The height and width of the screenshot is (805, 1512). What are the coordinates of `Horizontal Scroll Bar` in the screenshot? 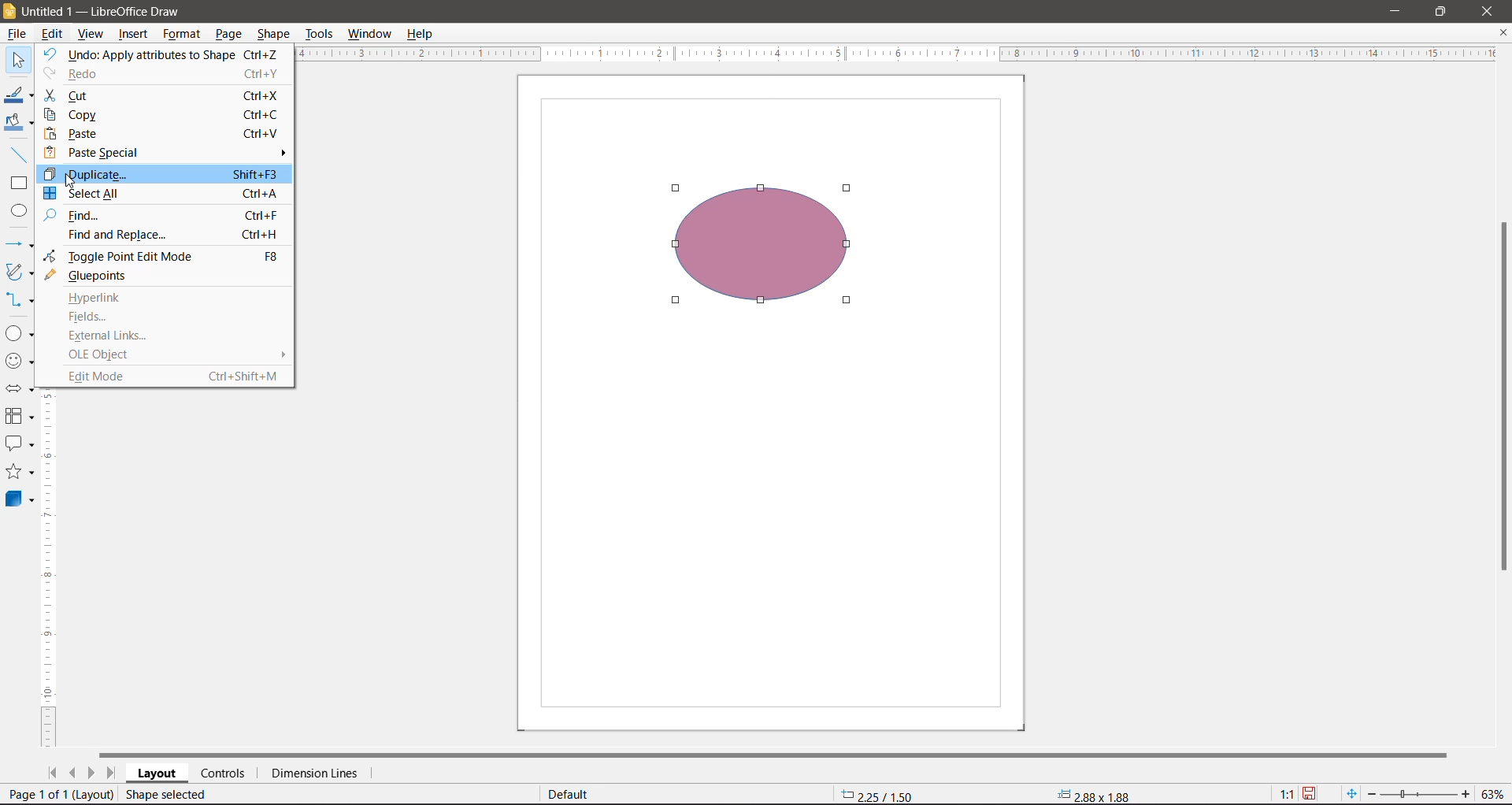 It's located at (776, 754).